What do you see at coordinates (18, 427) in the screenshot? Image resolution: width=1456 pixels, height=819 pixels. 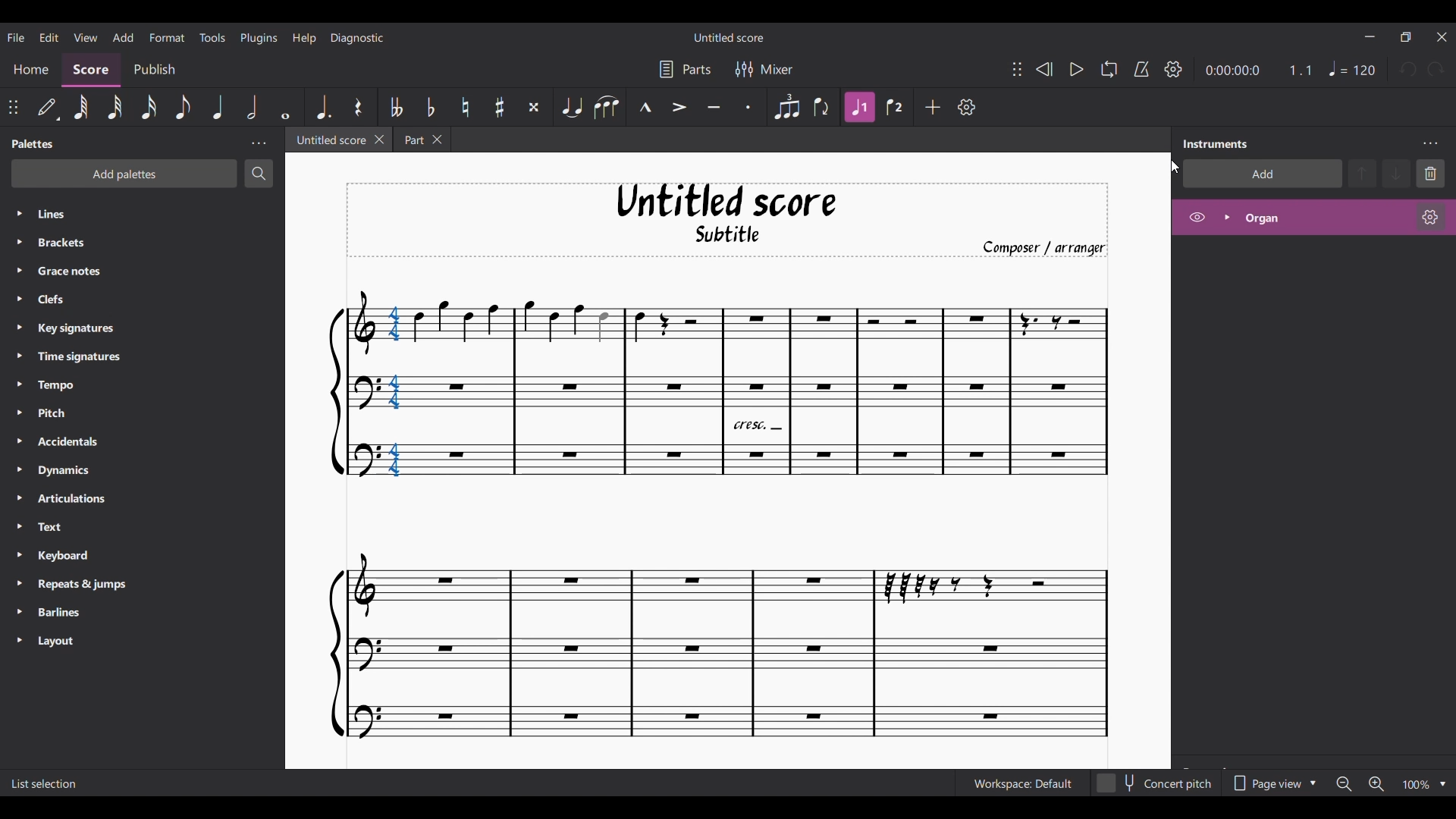 I see `Expand respective palette lines` at bounding box center [18, 427].